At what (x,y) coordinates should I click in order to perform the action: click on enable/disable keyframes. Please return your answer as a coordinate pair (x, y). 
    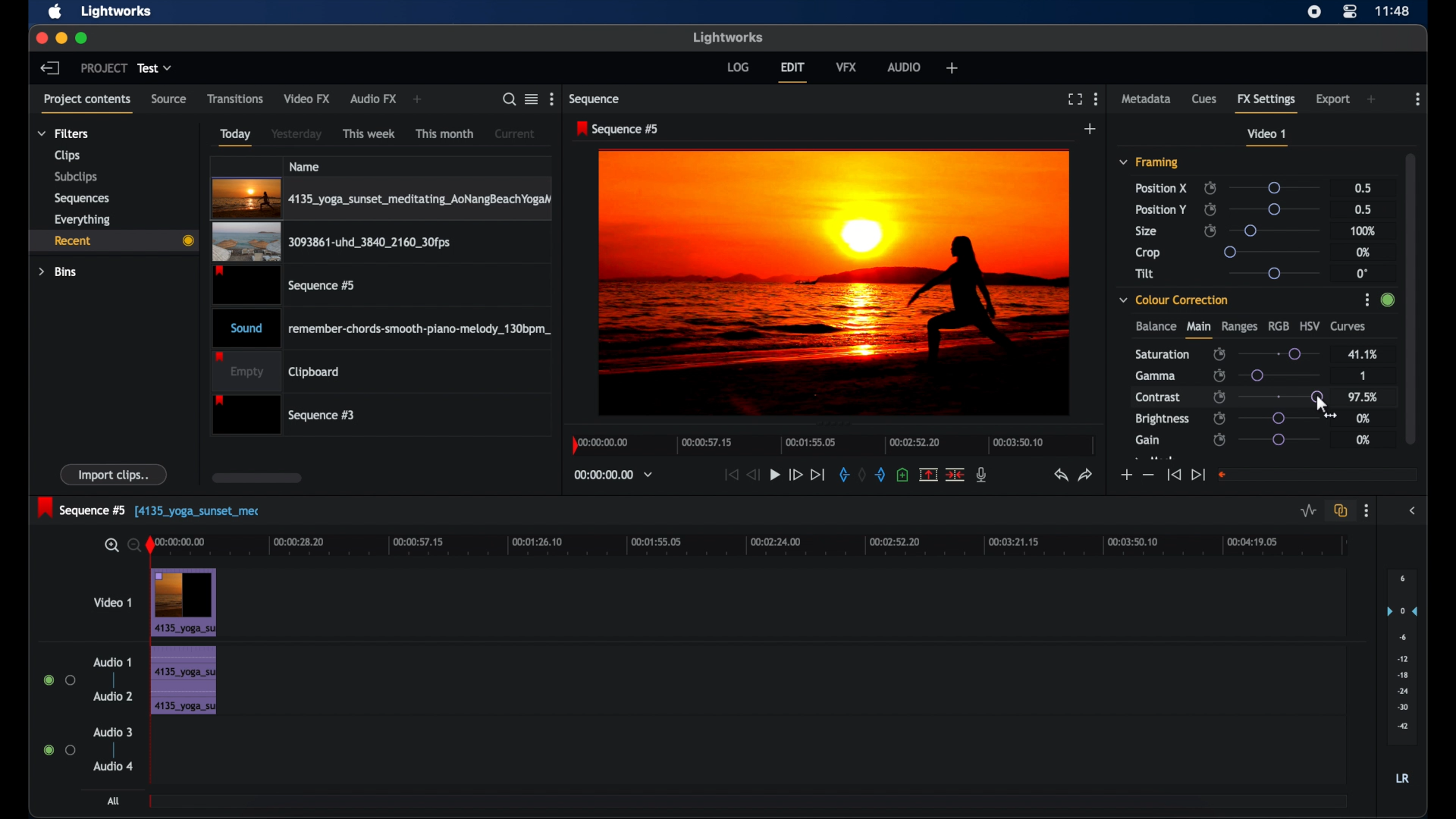
    Looking at the image, I should click on (1219, 418).